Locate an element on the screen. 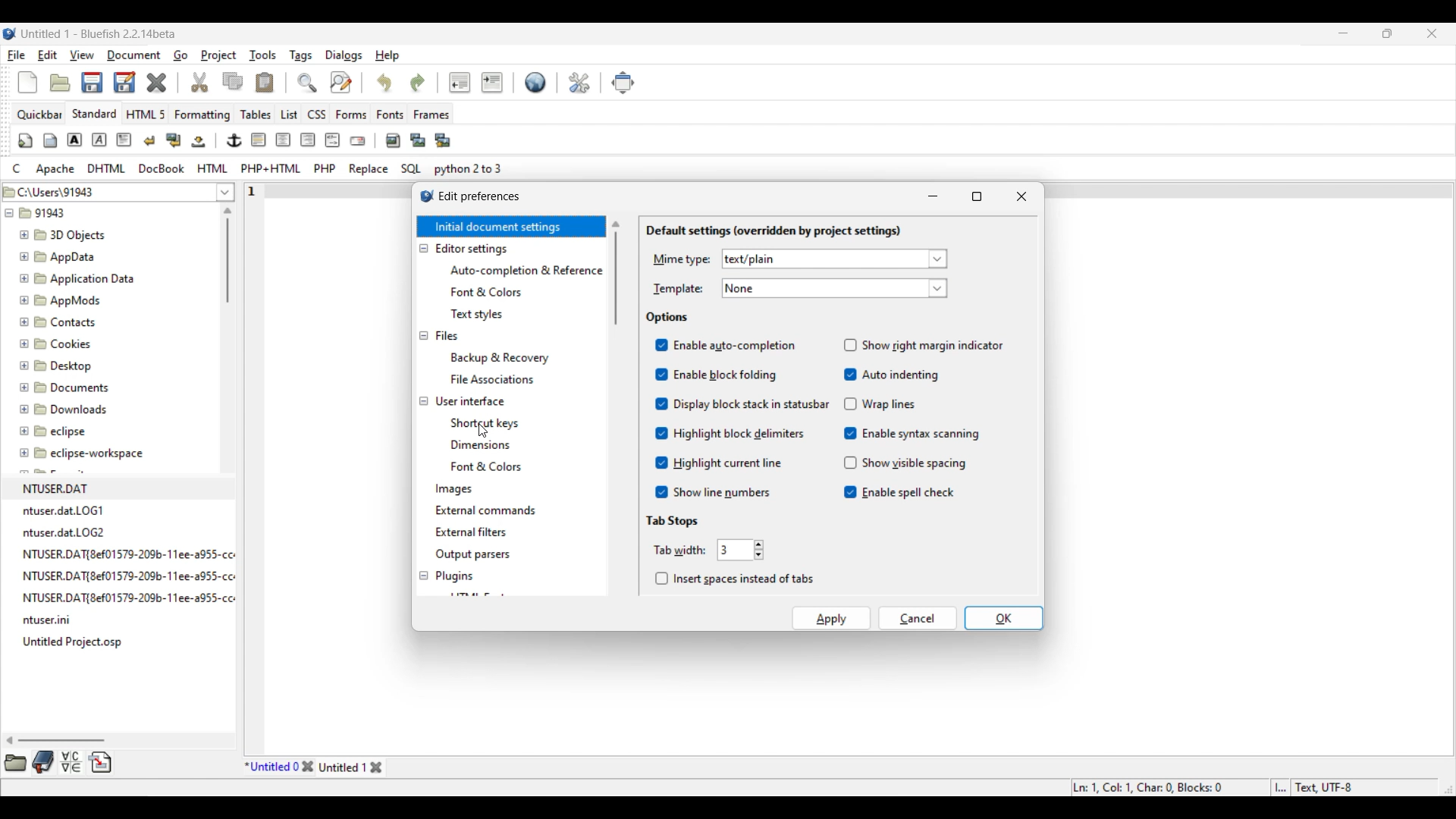 This screenshot has height=819, width=1456. AppMods is located at coordinates (58, 298).